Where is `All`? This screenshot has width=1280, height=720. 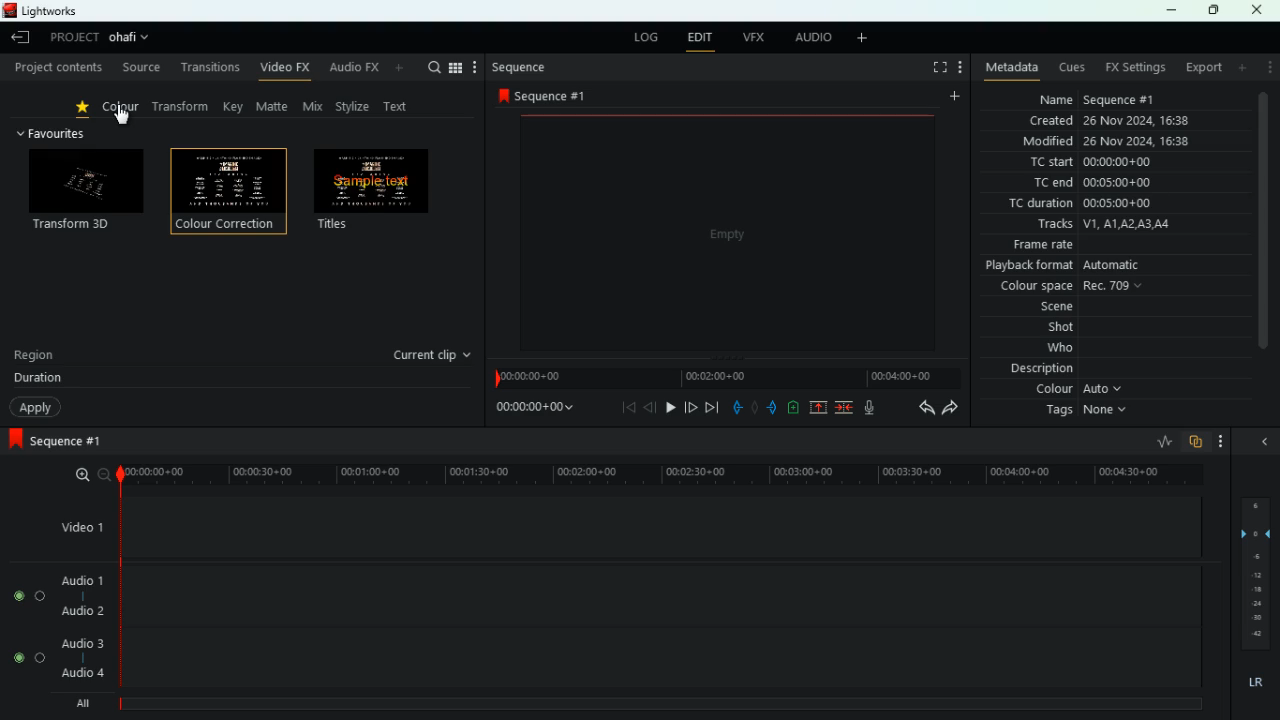
All is located at coordinates (86, 700).